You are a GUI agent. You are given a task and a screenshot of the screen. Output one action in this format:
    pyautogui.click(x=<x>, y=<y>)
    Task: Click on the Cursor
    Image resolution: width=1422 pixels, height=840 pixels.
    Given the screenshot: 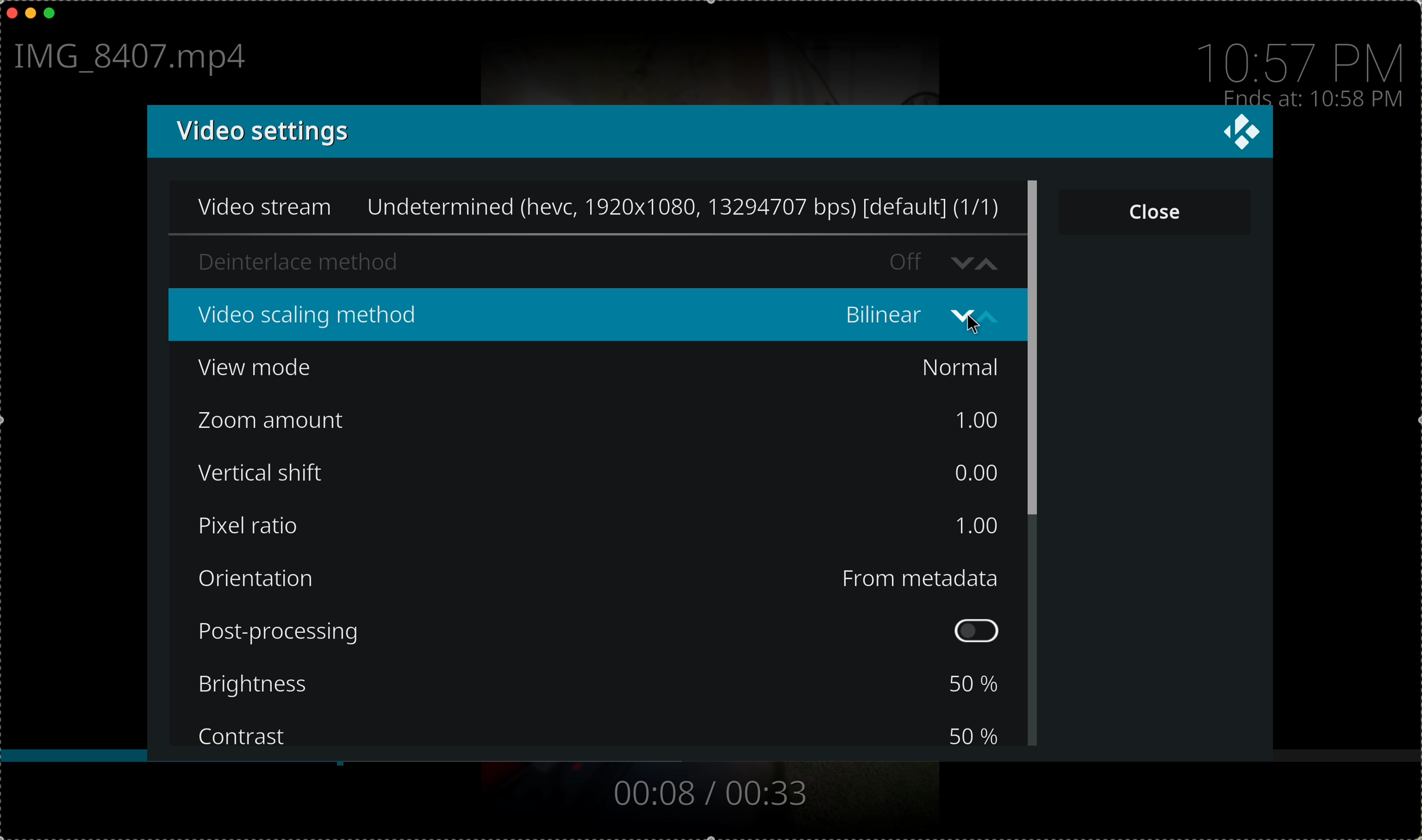 What is the action you would take?
    pyautogui.click(x=976, y=325)
    